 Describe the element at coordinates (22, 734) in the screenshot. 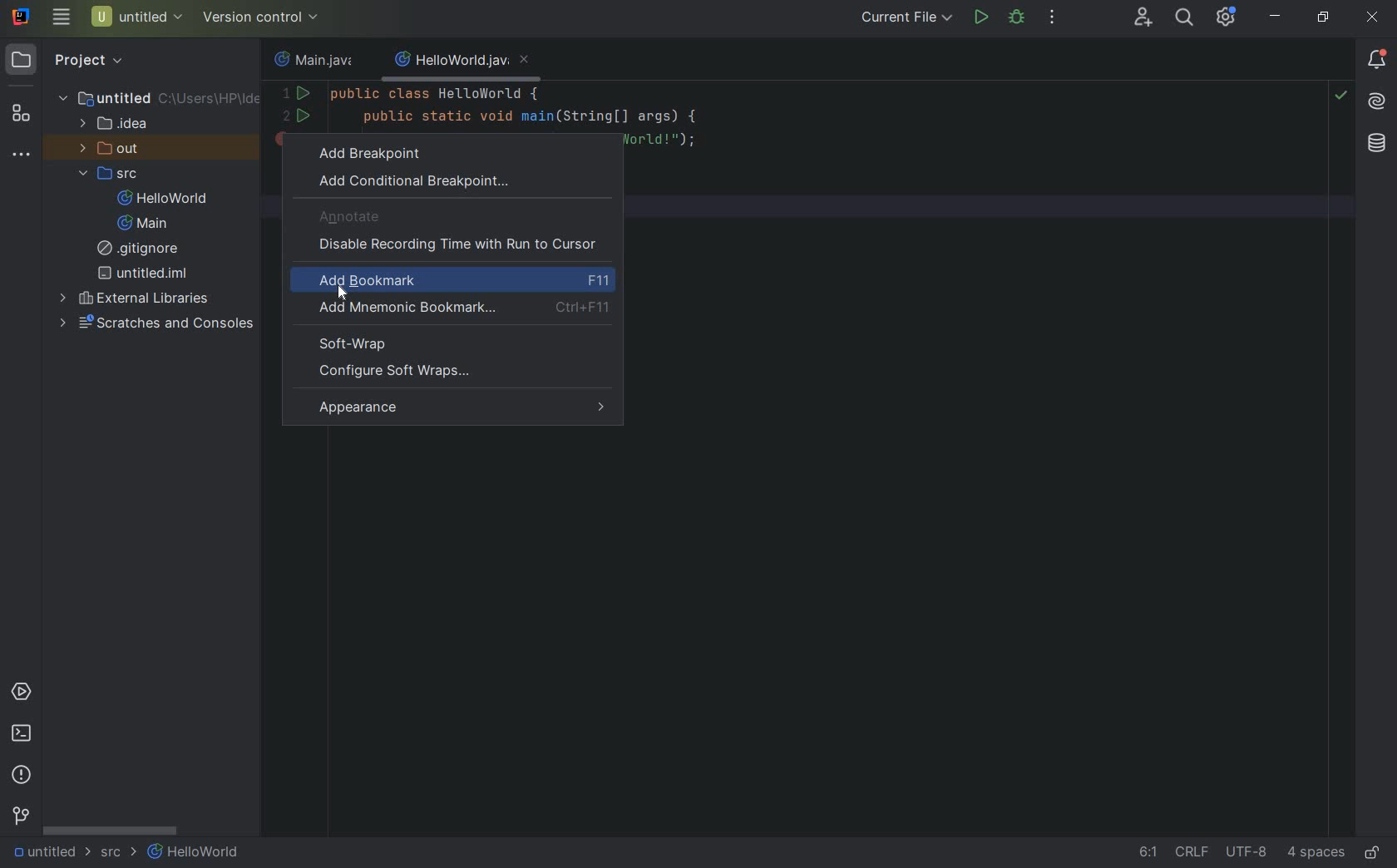

I see `terminal` at that location.